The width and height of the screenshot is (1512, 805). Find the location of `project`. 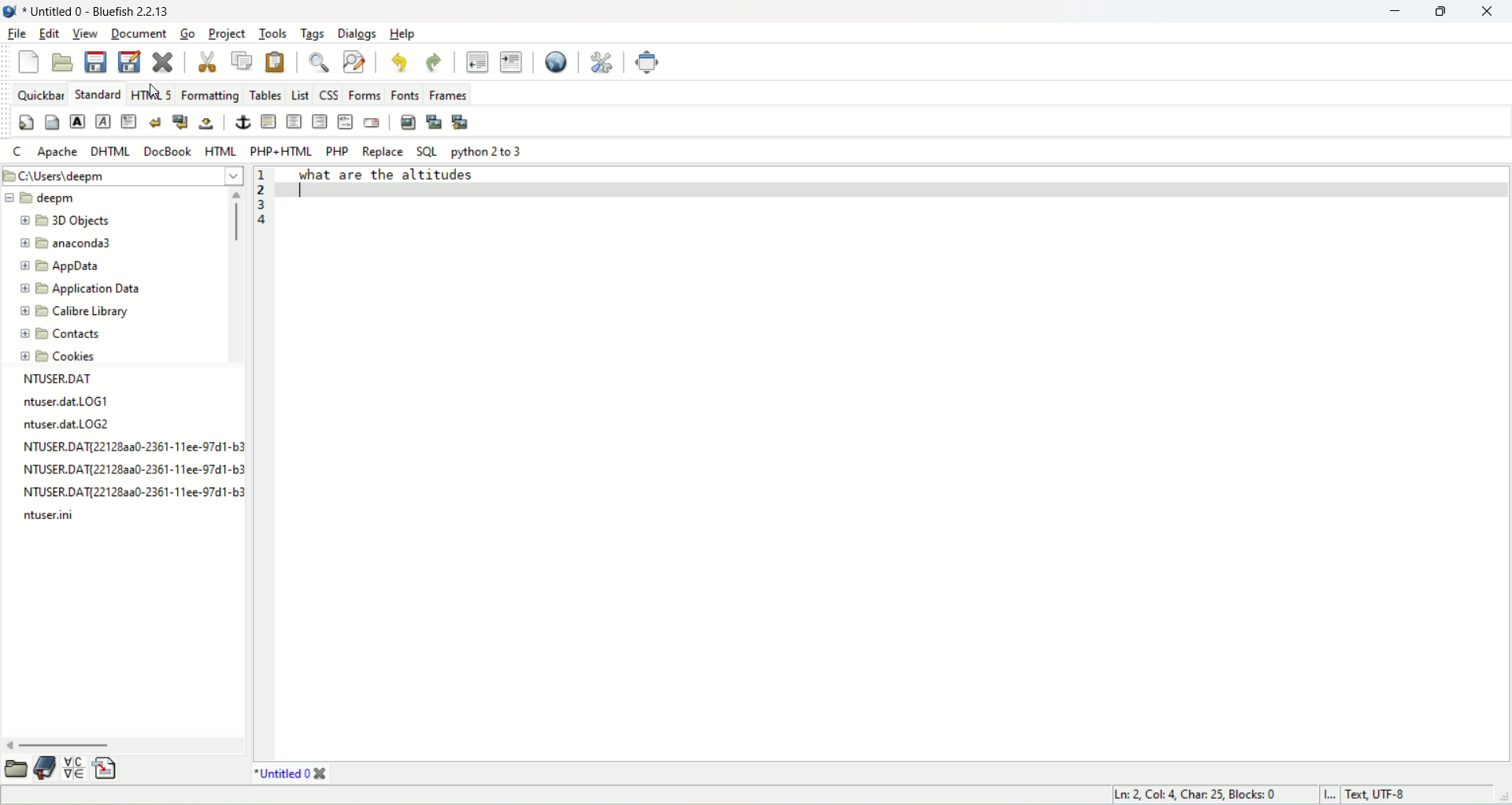

project is located at coordinates (225, 32).